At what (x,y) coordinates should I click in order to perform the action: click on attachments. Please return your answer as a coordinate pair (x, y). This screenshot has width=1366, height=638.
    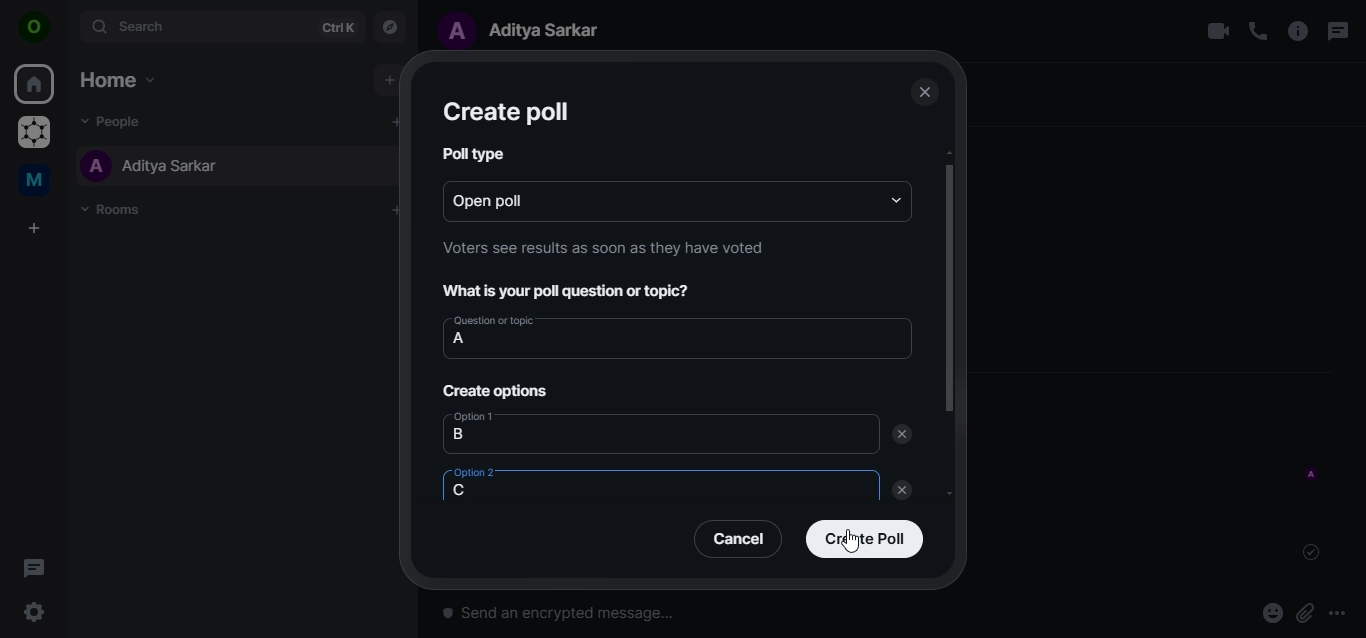
    Looking at the image, I should click on (1305, 614).